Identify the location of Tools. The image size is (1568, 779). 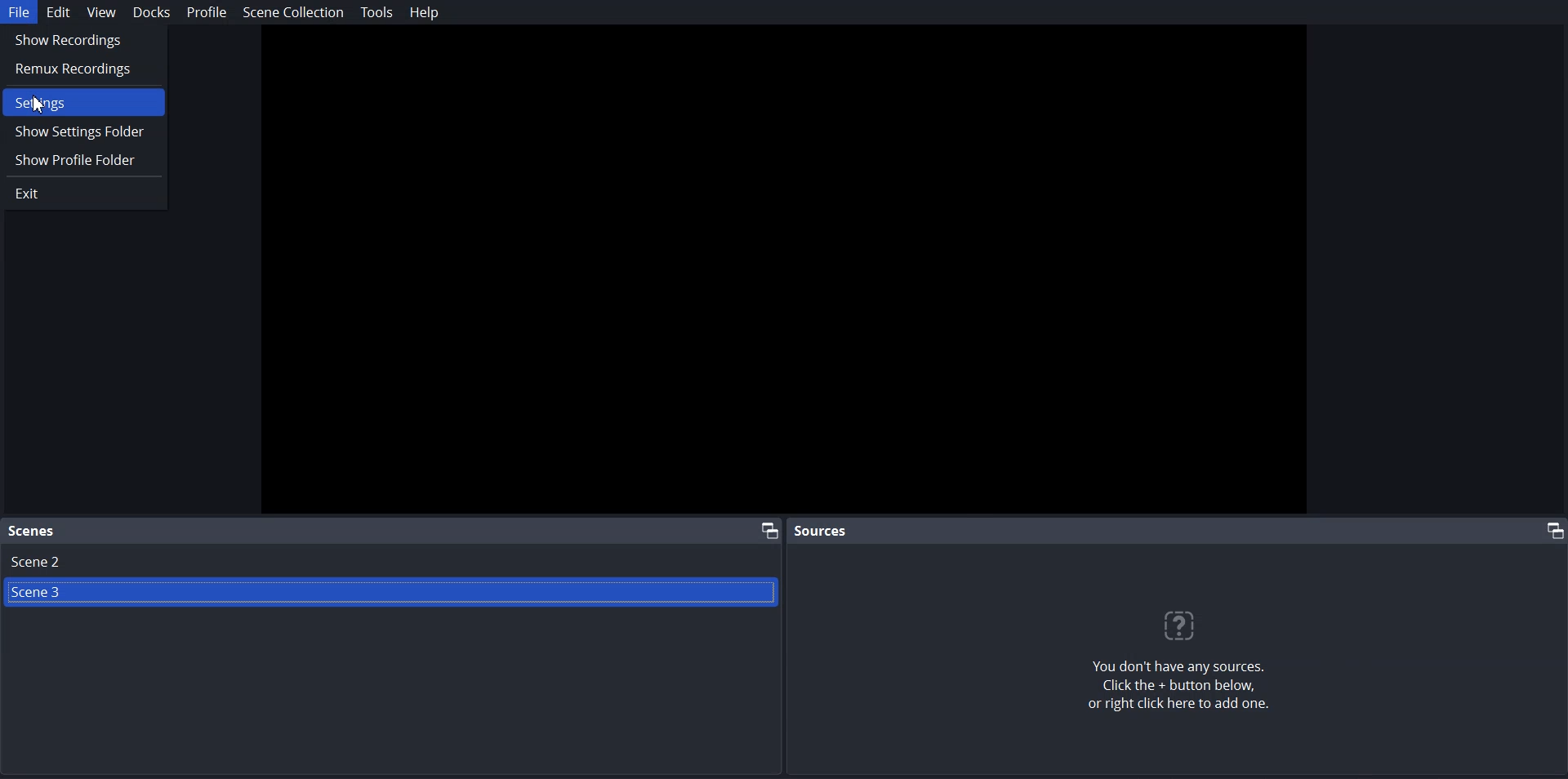
(376, 12).